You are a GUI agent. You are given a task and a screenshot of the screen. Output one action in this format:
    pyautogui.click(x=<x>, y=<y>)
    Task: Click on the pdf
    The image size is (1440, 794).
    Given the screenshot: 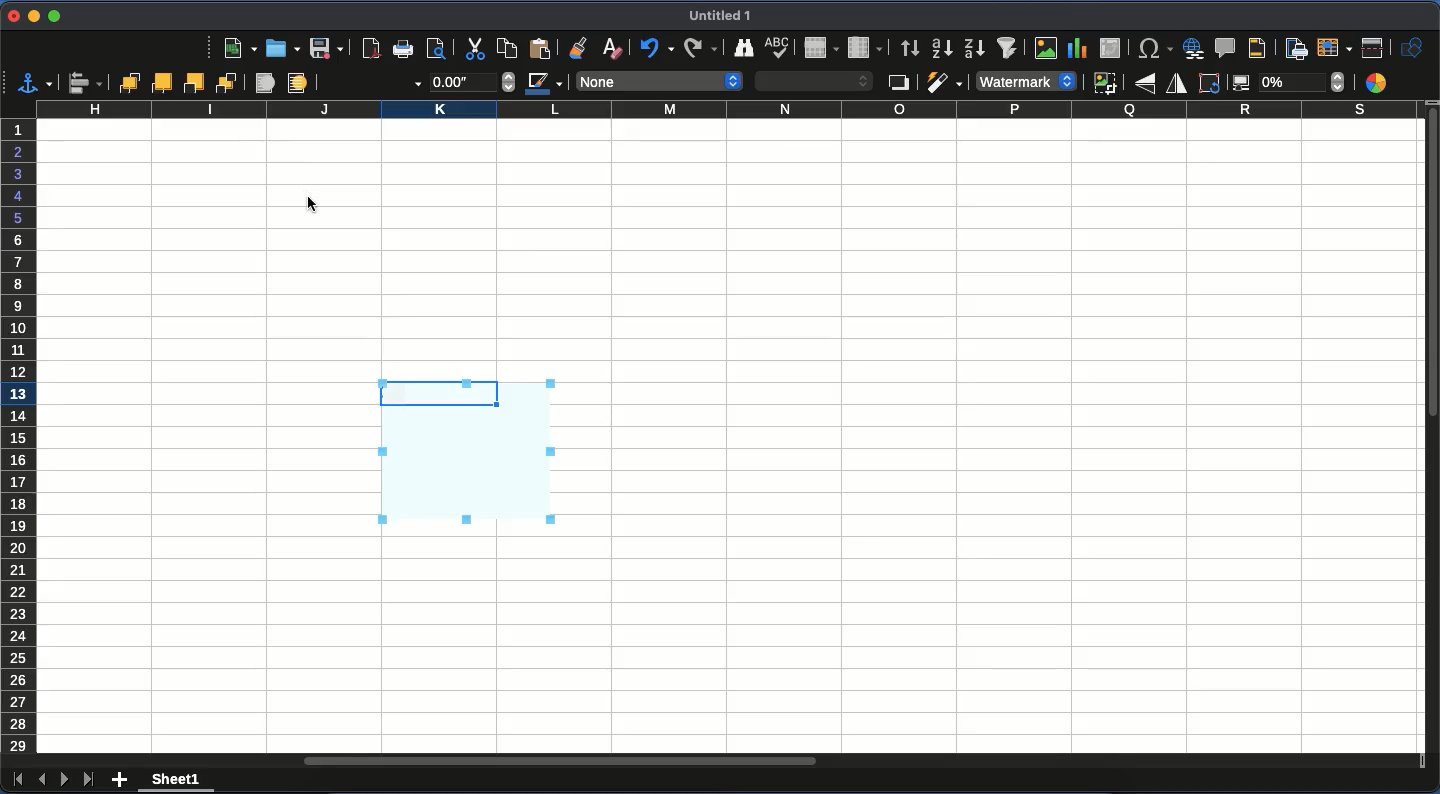 What is the action you would take?
    pyautogui.click(x=371, y=48)
    